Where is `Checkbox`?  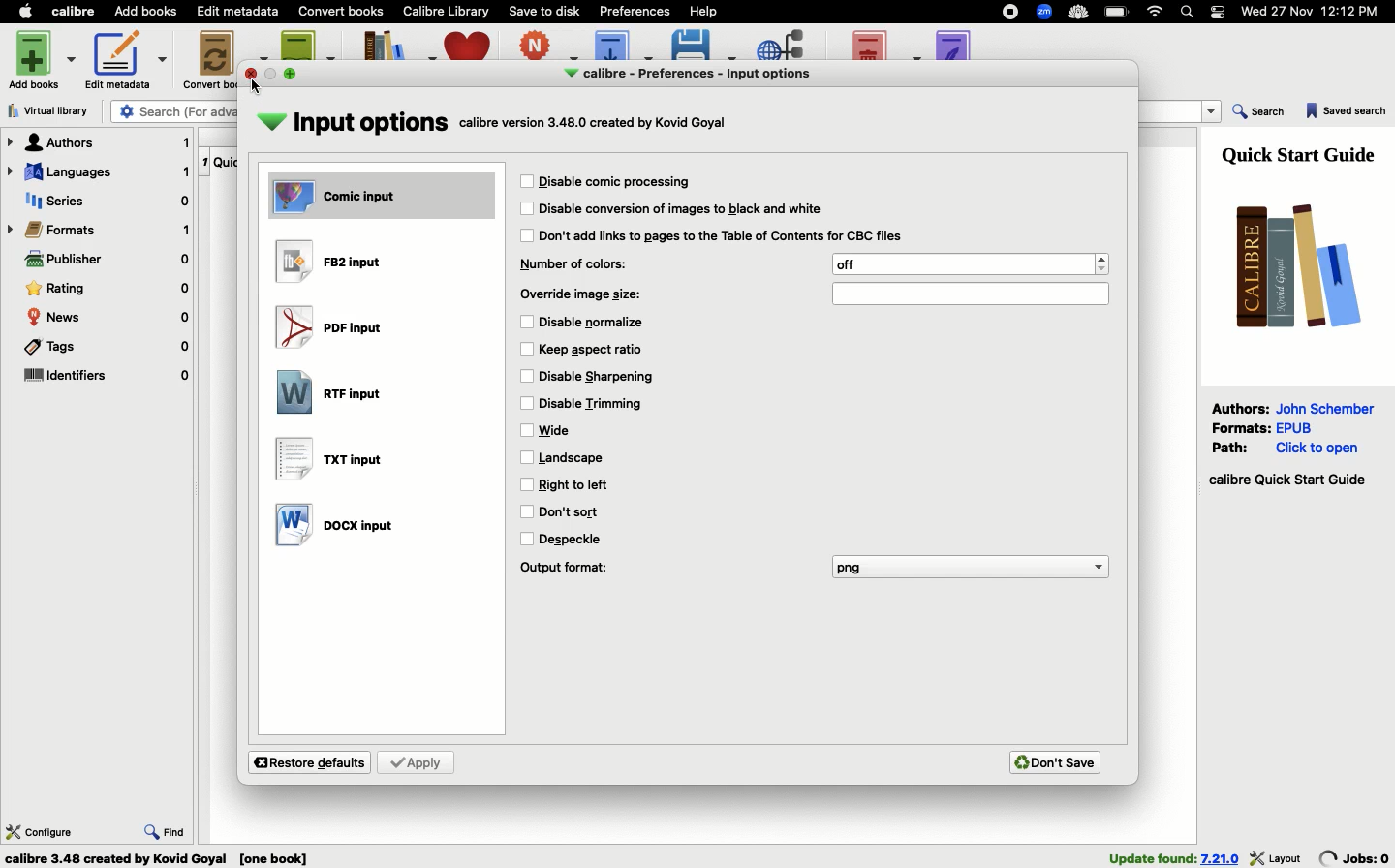
Checkbox is located at coordinates (526, 484).